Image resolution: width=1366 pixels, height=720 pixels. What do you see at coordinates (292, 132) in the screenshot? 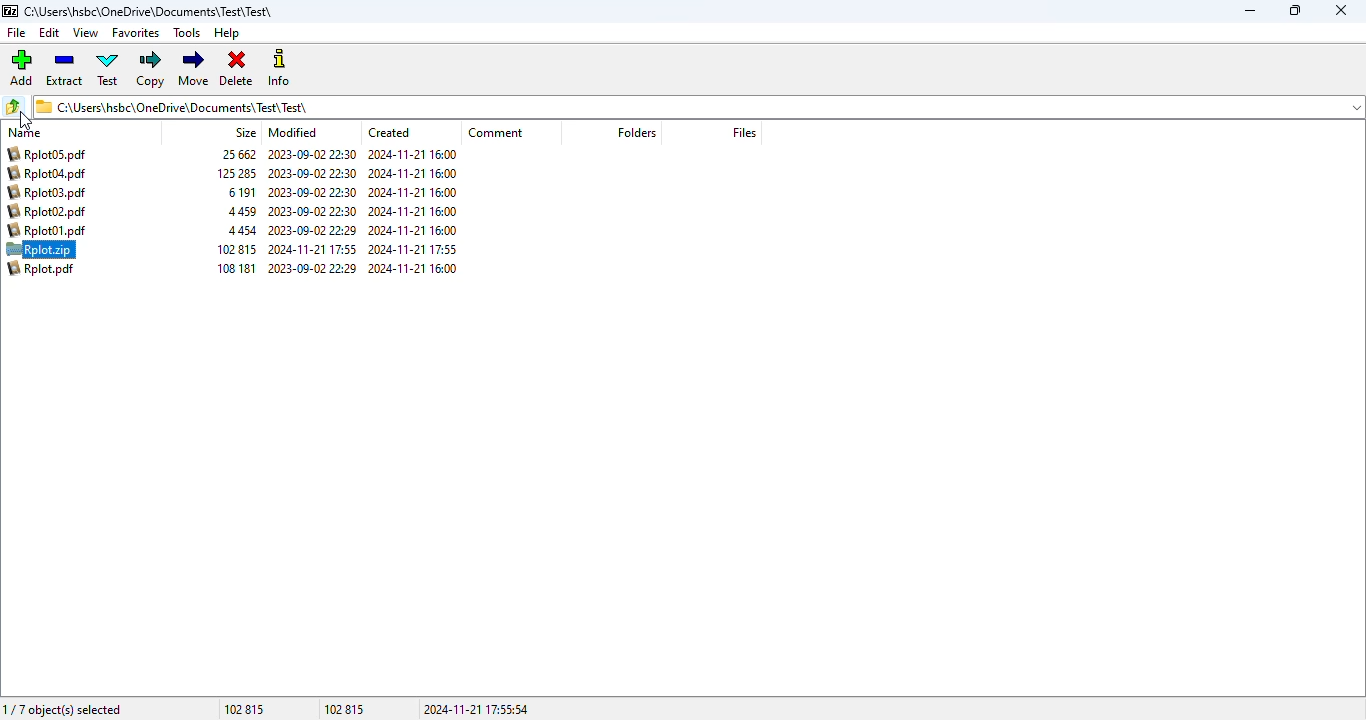
I see `modified` at bounding box center [292, 132].